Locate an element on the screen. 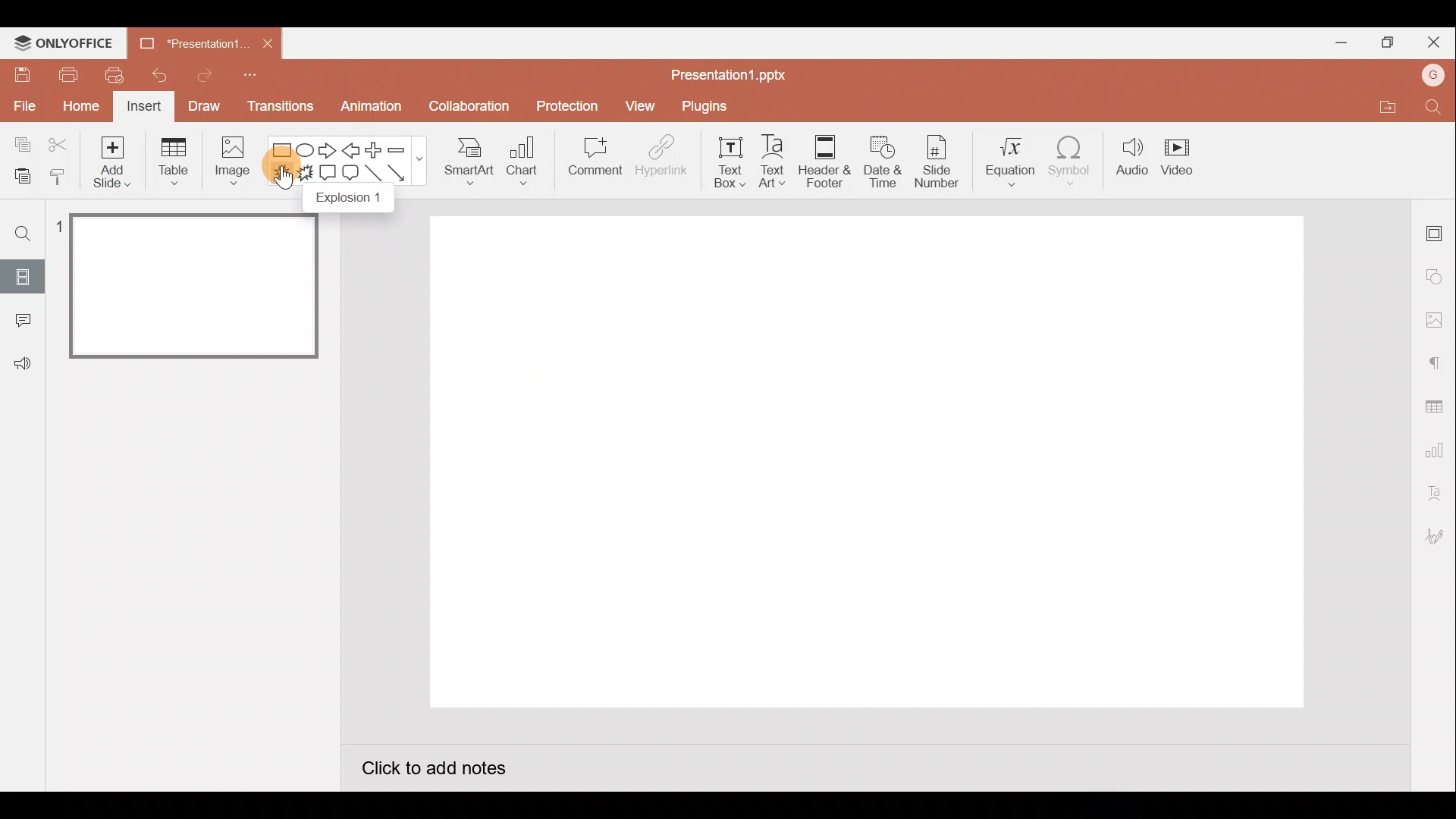 The image size is (1456, 819). Audio is located at coordinates (1128, 160).